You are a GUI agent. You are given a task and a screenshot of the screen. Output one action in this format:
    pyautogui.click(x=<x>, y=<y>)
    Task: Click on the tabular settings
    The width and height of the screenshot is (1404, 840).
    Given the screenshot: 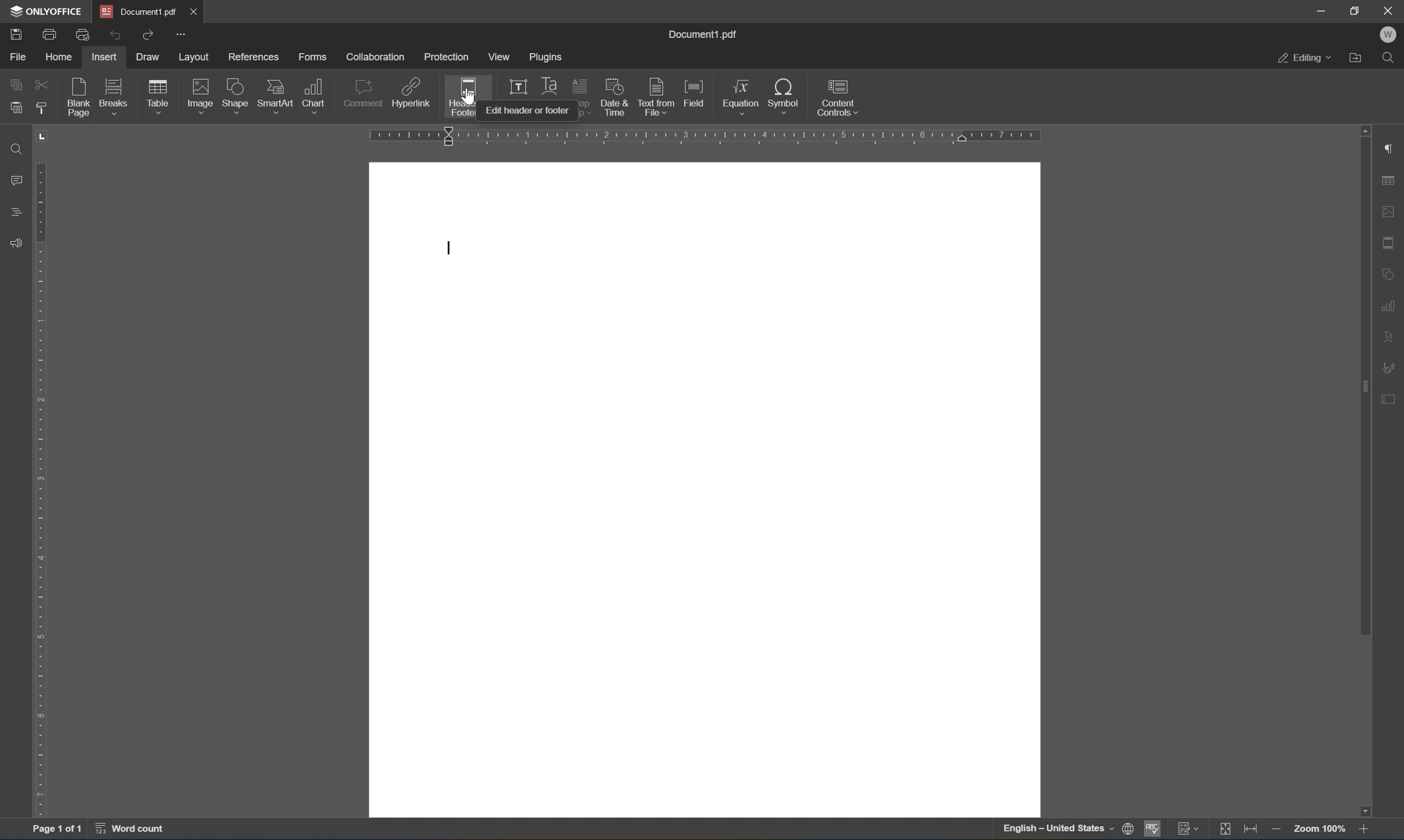 What is the action you would take?
    pyautogui.click(x=1390, y=181)
    